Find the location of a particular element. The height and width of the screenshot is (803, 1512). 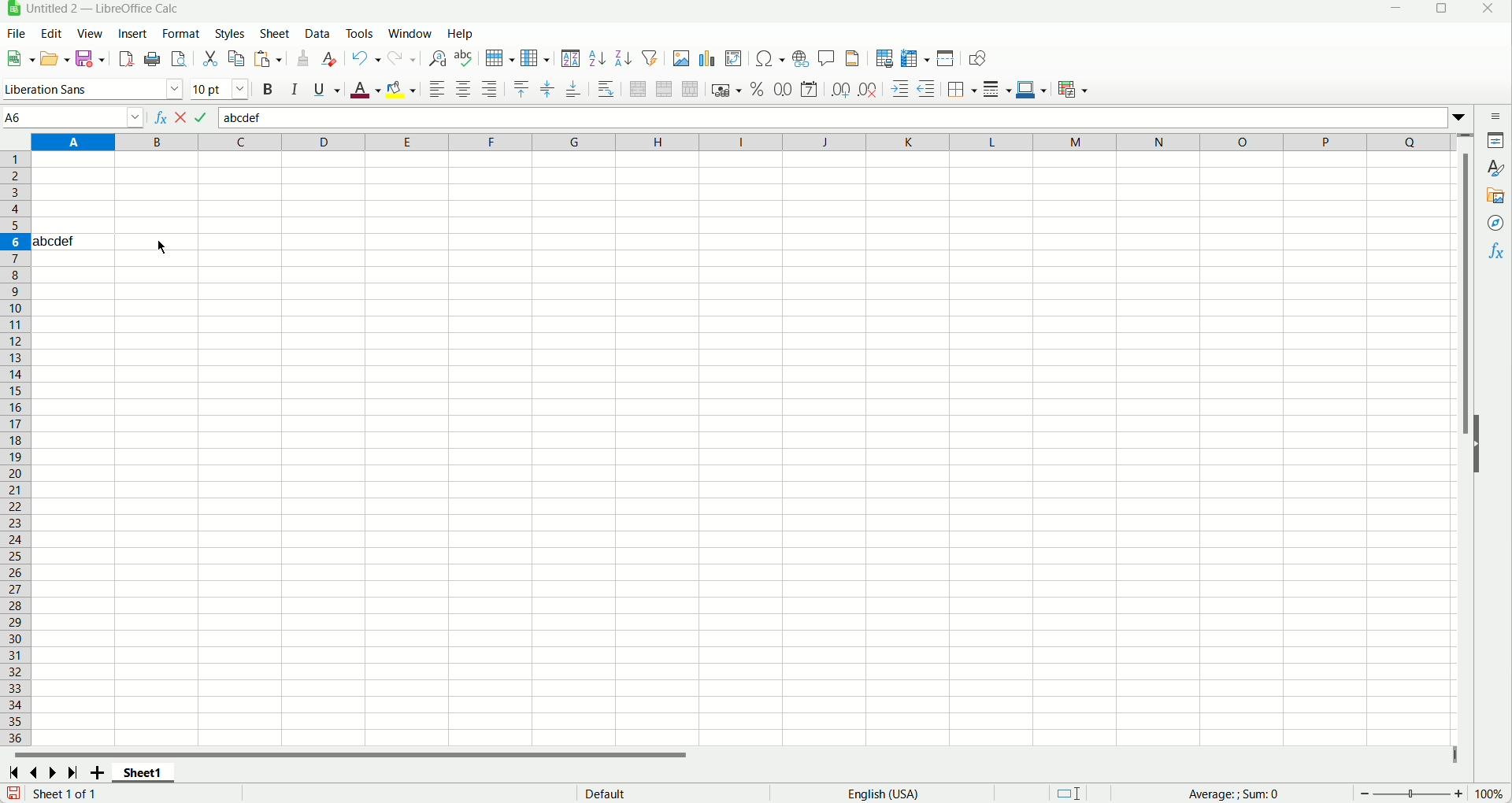

edit is located at coordinates (50, 34).